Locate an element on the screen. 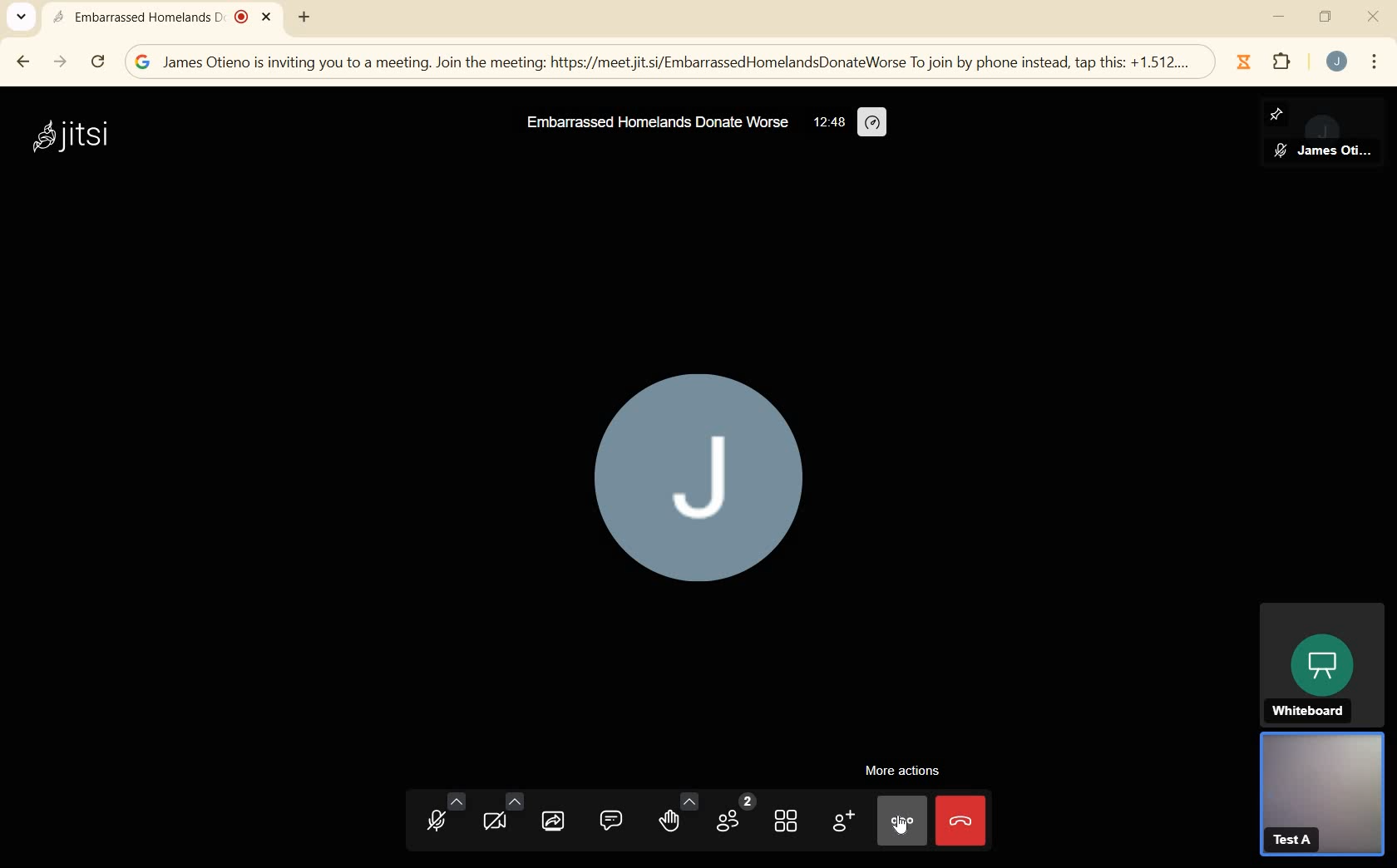  screen sharing is located at coordinates (555, 821).